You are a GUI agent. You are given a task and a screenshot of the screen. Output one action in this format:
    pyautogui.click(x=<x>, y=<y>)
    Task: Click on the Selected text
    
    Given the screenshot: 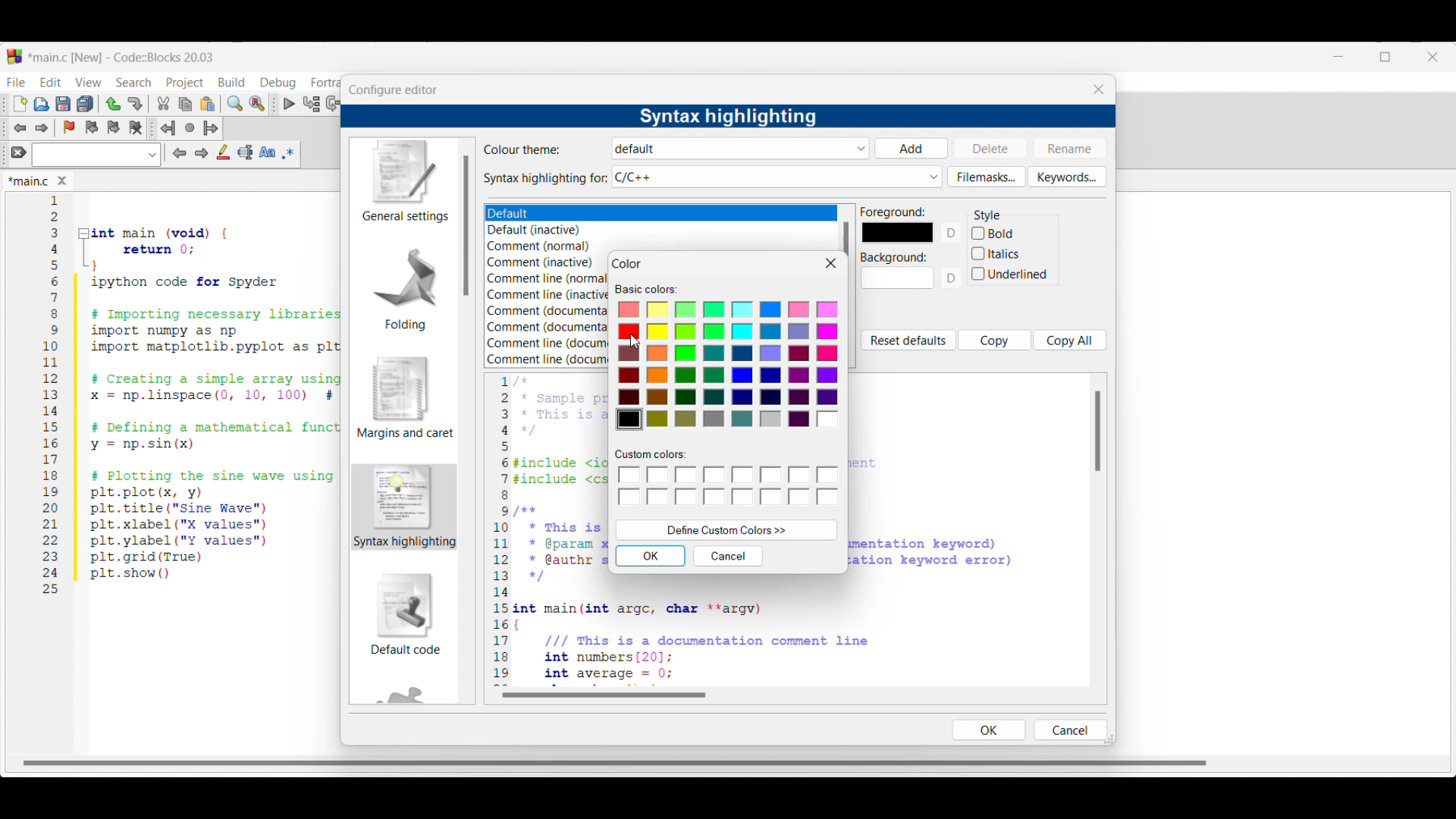 What is the action you would take?
    pyautogui.click(x=246, y=152)
    